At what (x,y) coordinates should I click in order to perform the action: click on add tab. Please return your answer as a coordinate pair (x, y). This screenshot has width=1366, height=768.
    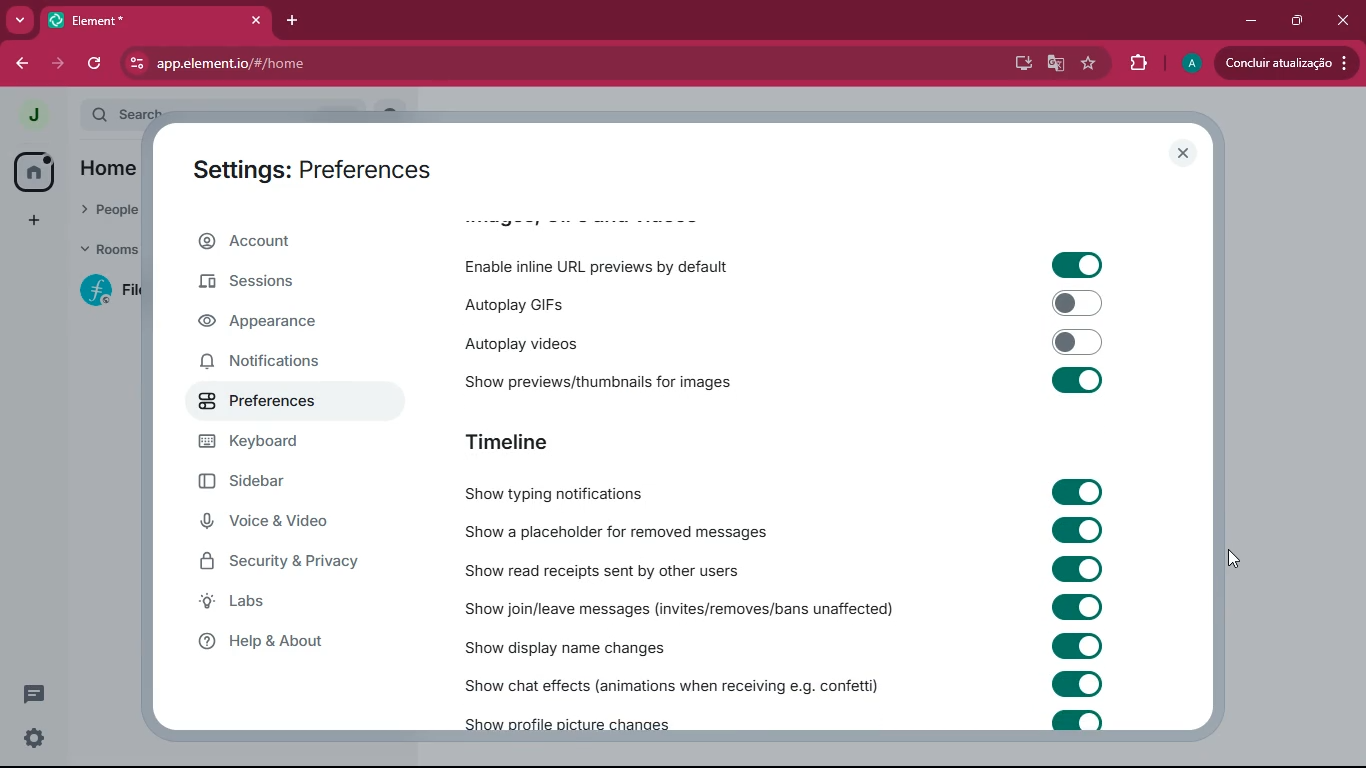
    Looking at the image, I should click on (292, 21).